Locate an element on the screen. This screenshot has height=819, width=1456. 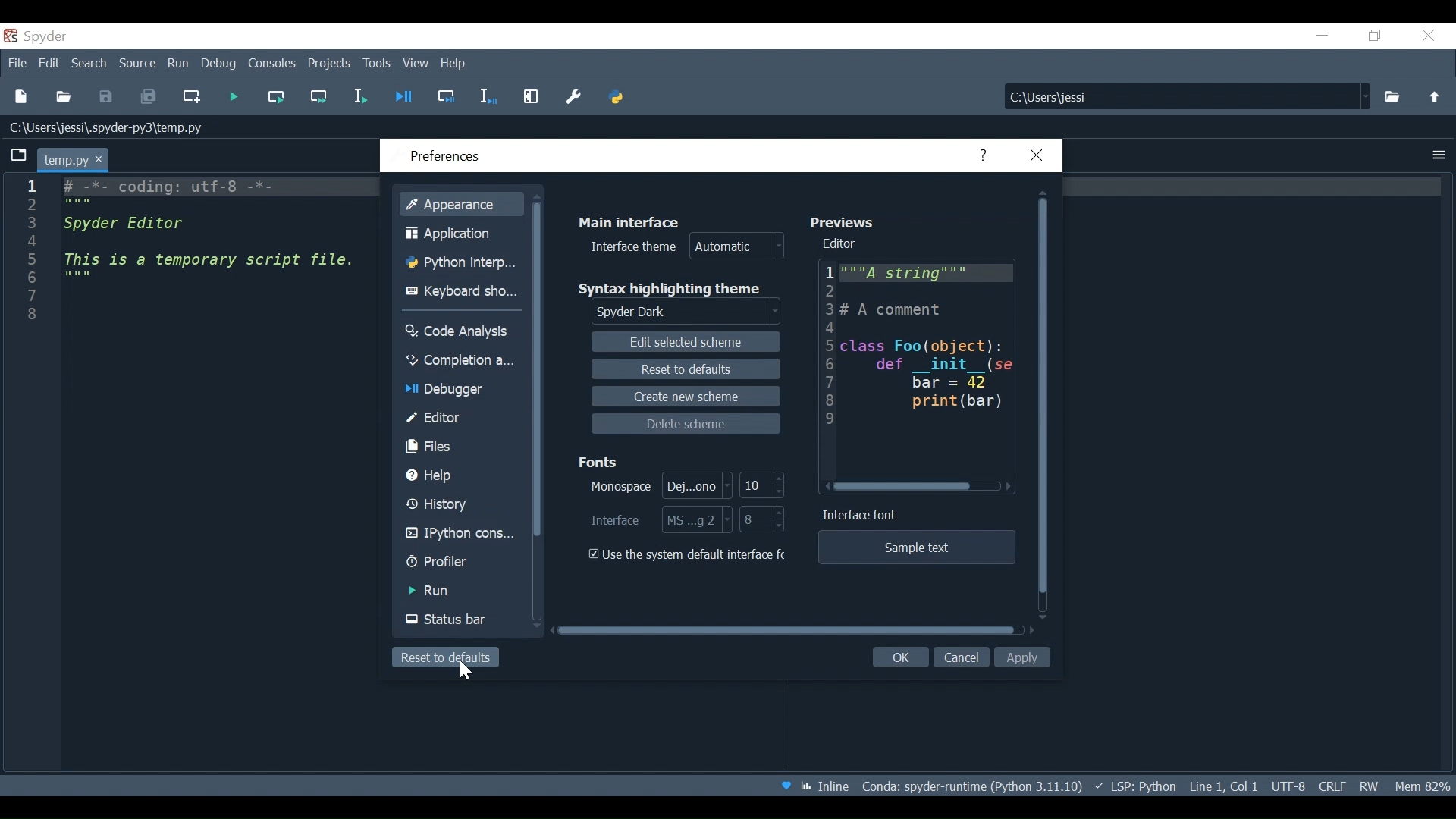
Current Tab is located at coordinates (71, 158).